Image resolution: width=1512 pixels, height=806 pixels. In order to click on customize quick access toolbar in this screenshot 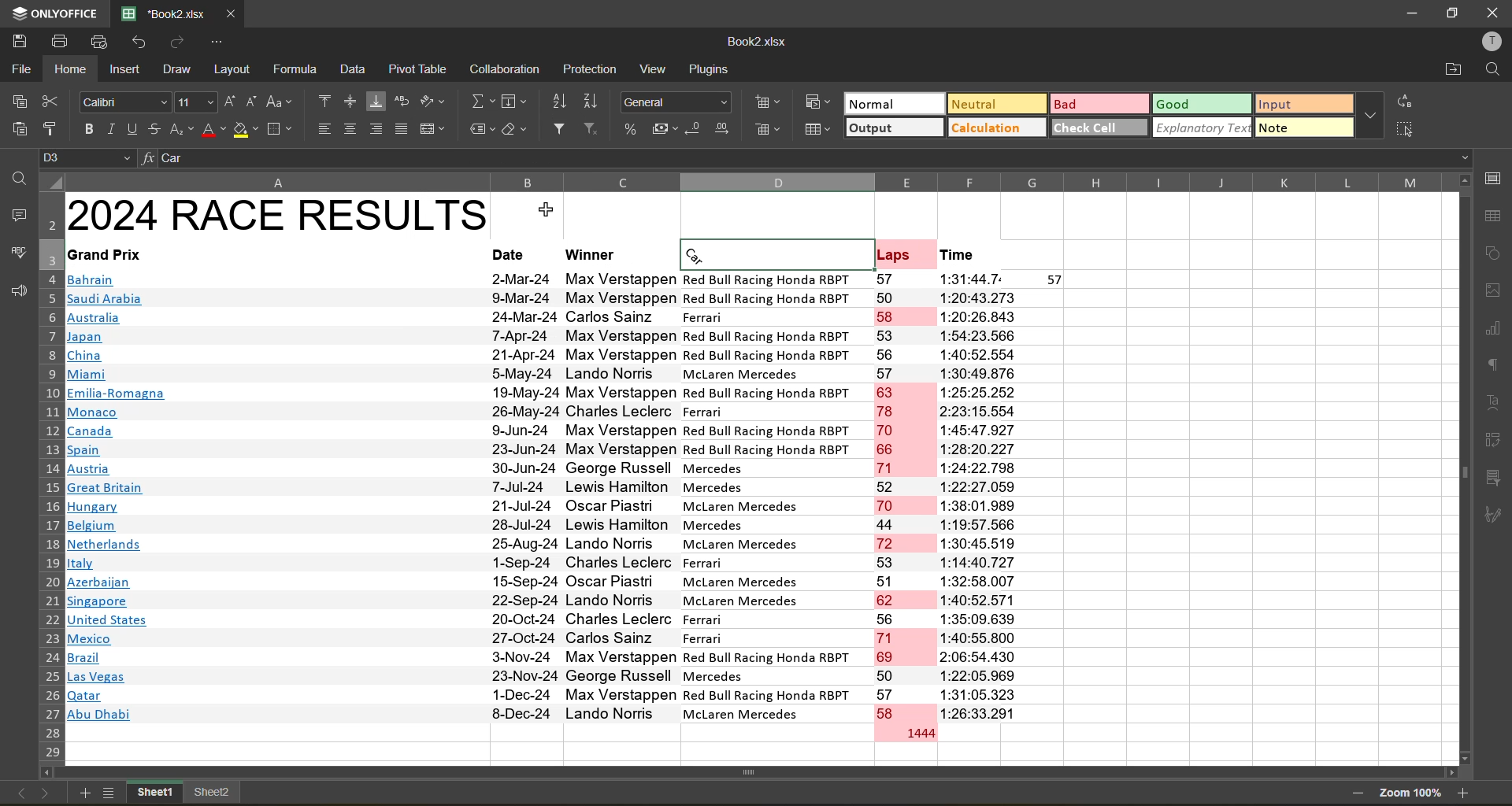, I will do `click(211, 42)`.